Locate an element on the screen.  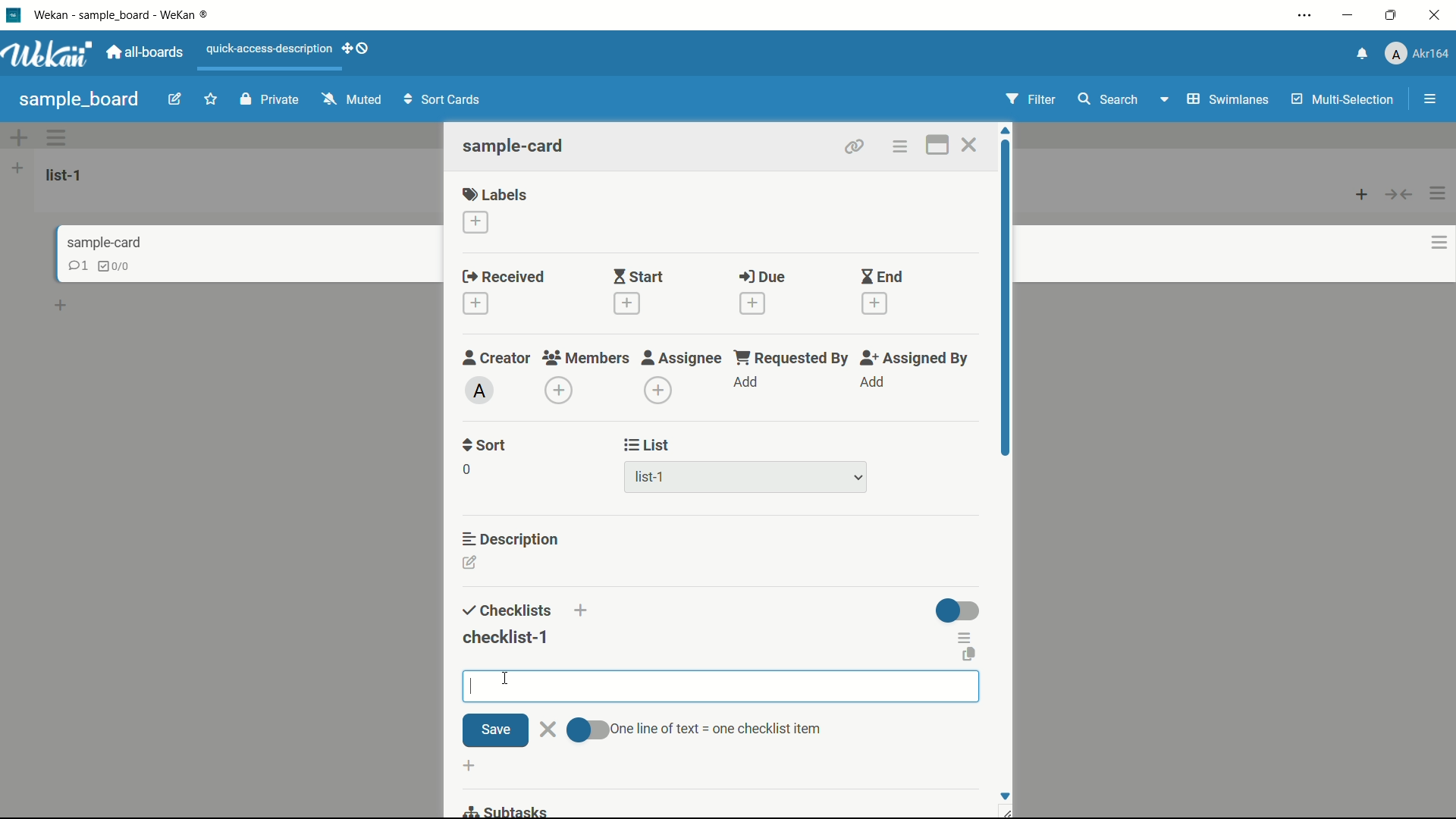
all boards is located at coordinates (147, 52).